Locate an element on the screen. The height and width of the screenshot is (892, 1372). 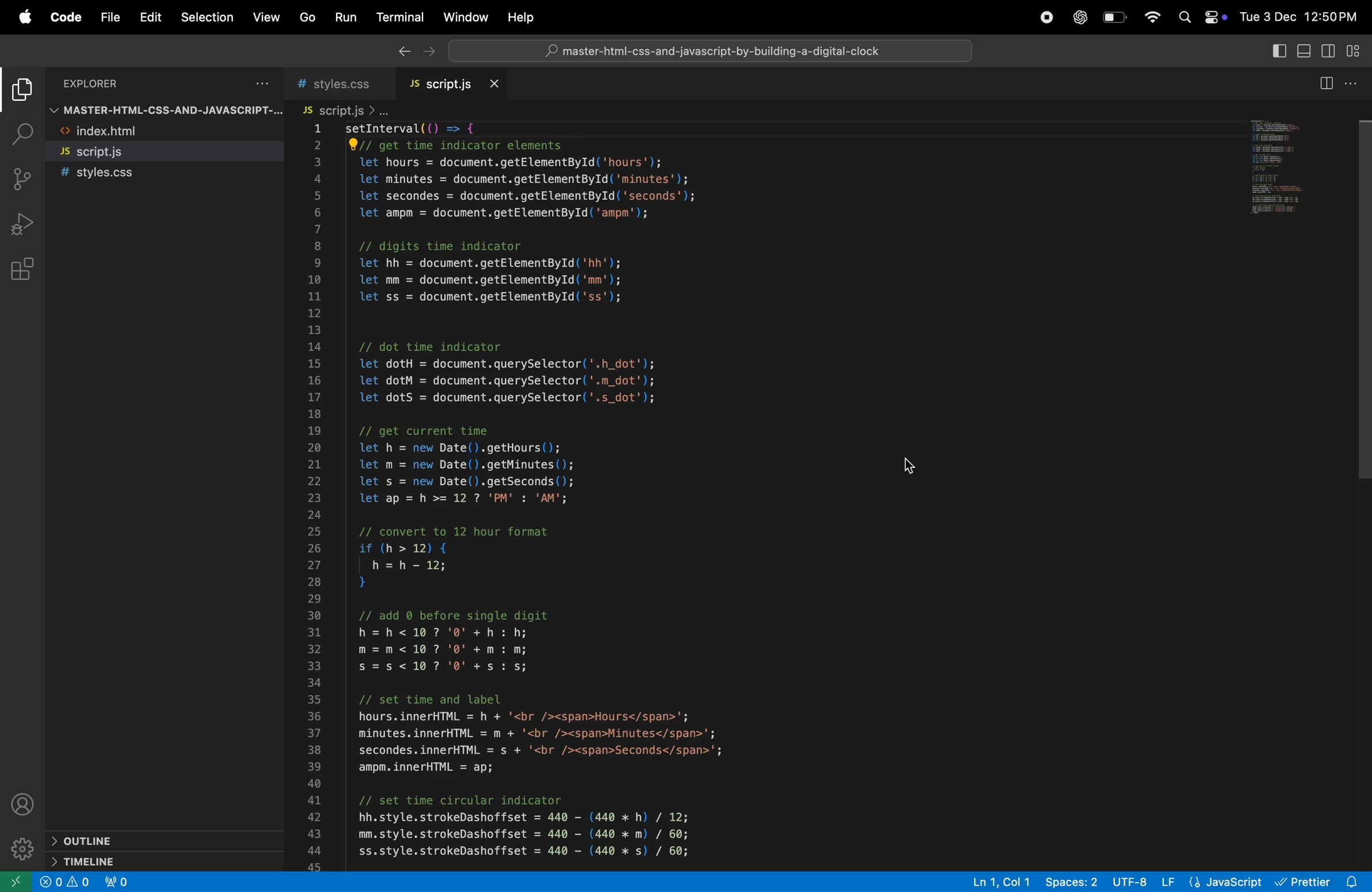
chatgpt is located at coordinates (1077, 17).